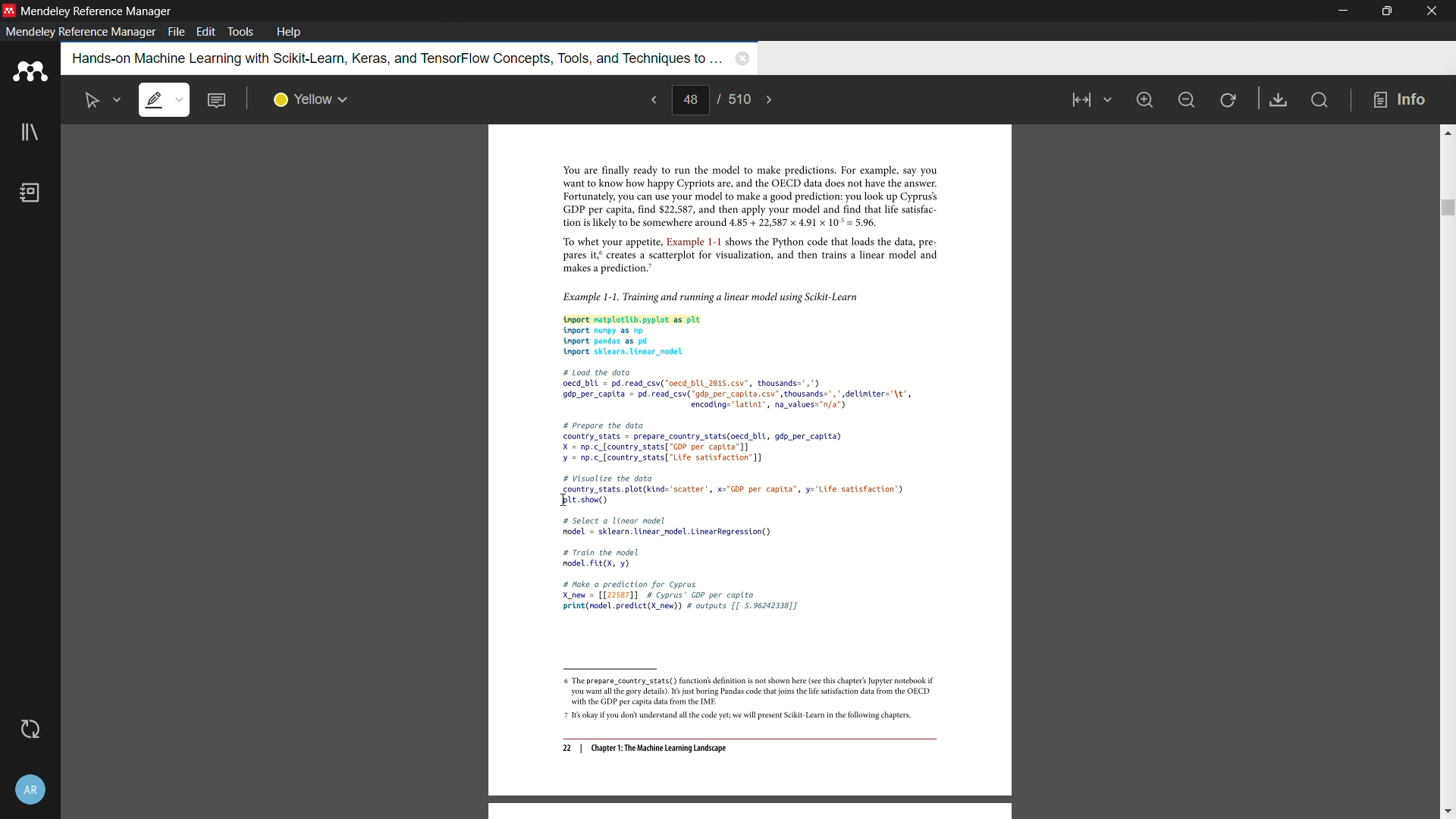 This screenshot has width=1456, height=819. Describe the element at coordinates (1318, 99) in the screenshot. I see `find` at that location.